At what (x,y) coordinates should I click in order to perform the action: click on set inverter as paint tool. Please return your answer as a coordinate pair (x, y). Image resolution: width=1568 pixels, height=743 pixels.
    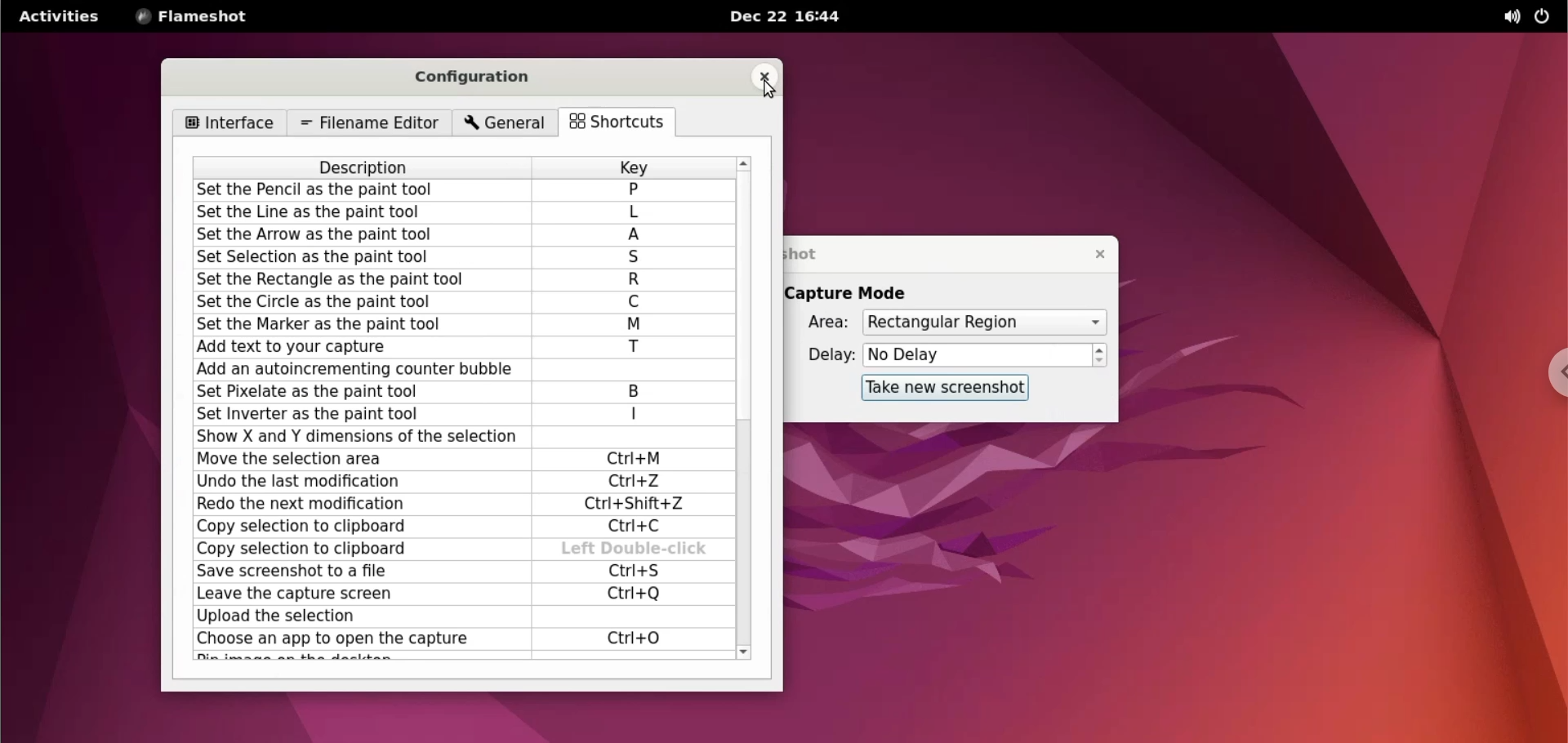
    Looking at the image, I should click on (352, 414).